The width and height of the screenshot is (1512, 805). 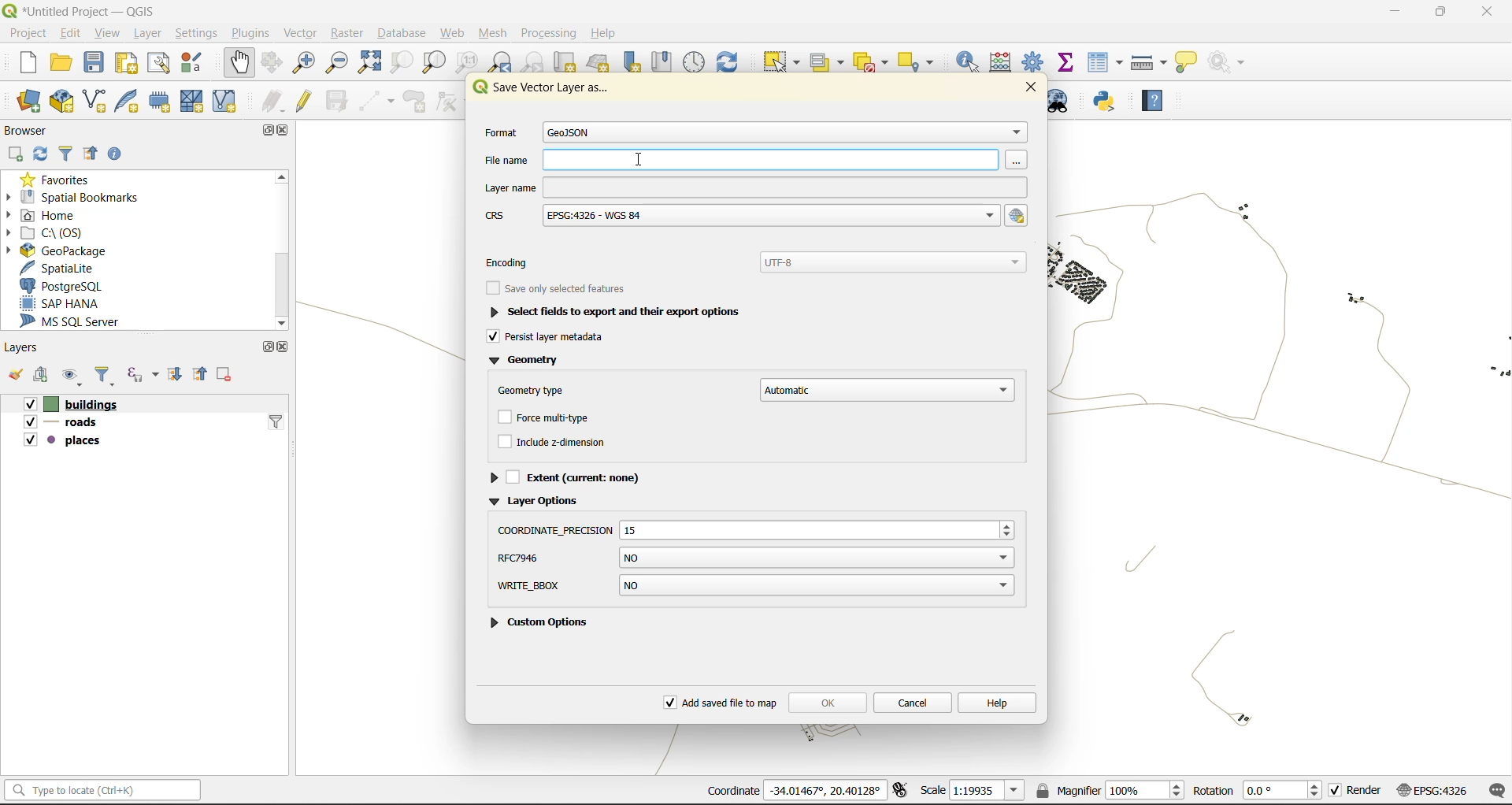 What do you see at coordinates (972, 62) in the screenshot?
I see `identify features` at bounding box center [972, 62].